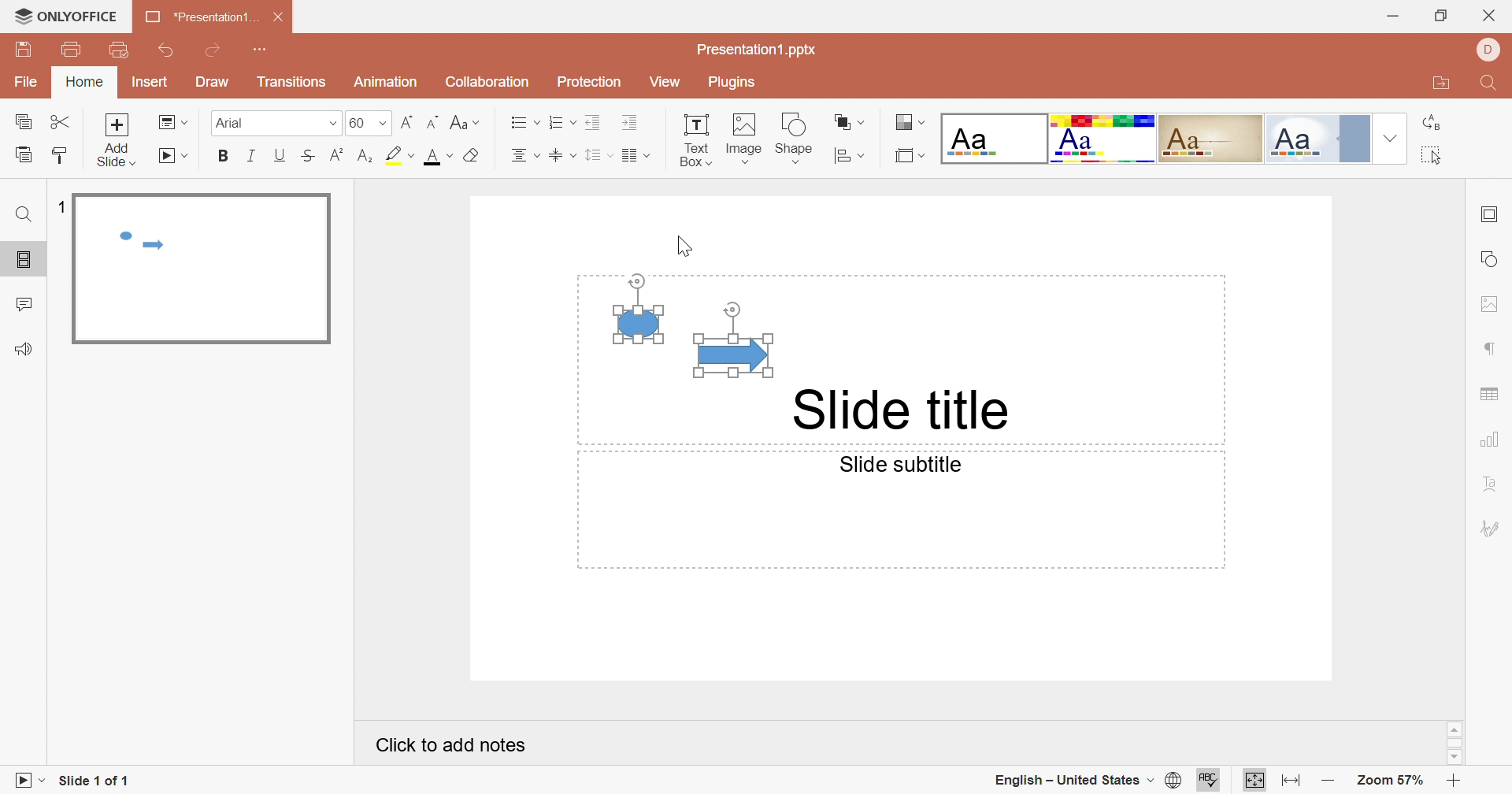  I want to click on Slide title, so click(899, 410).